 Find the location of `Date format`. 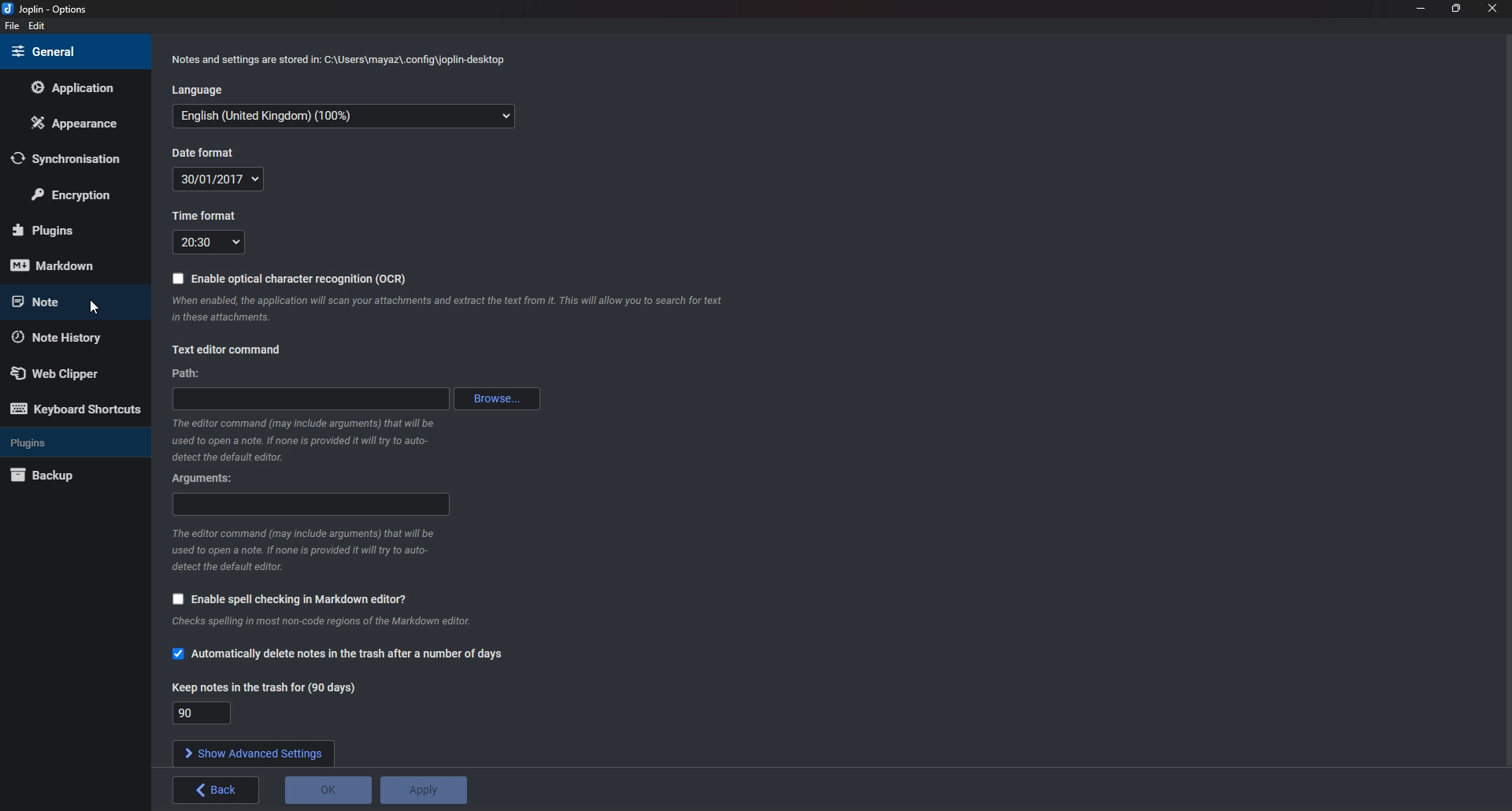

Date format is located at coordinates (213, 152).